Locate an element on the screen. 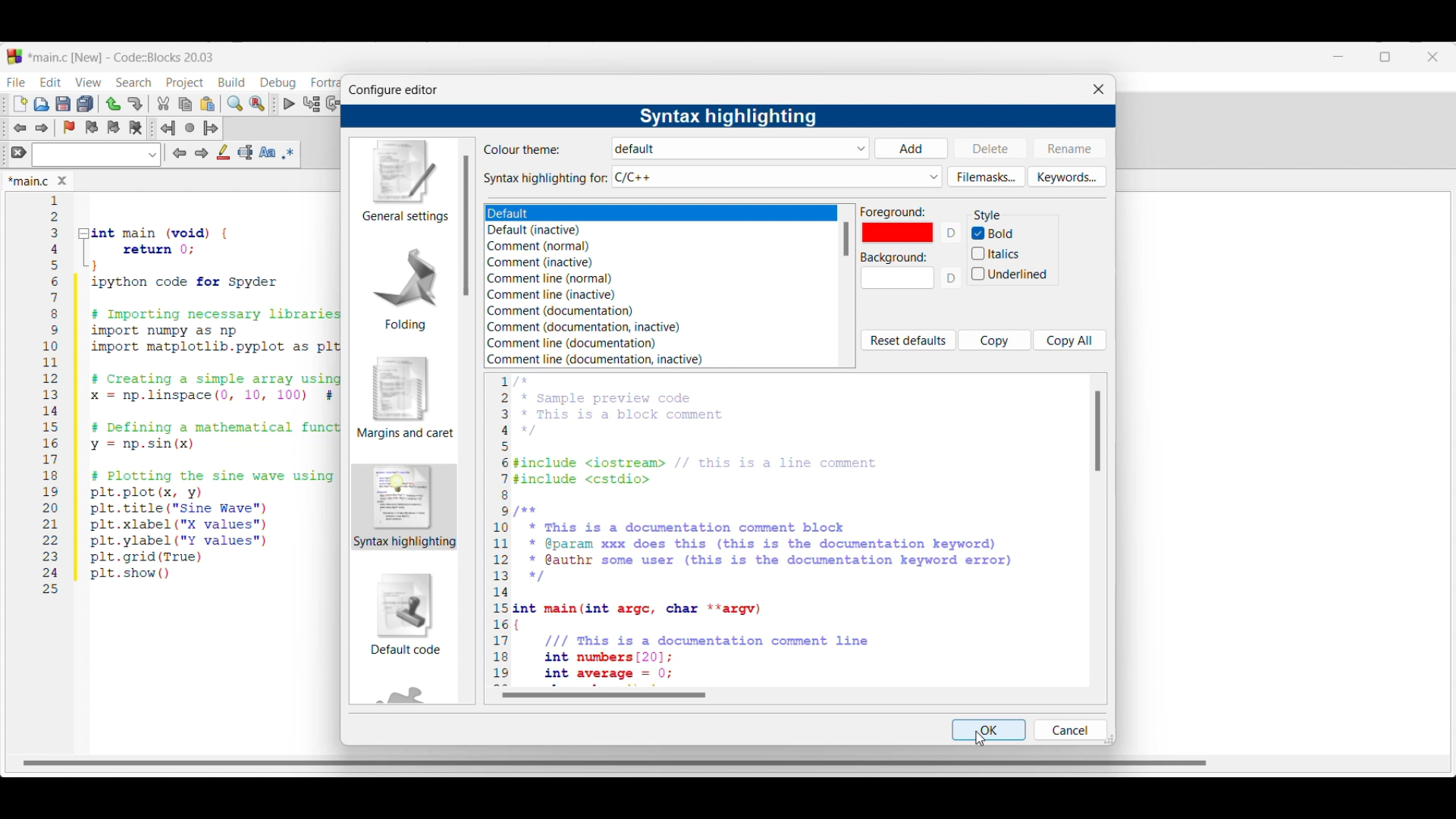  Comment (inactive) is located at coordinates (541, 262).